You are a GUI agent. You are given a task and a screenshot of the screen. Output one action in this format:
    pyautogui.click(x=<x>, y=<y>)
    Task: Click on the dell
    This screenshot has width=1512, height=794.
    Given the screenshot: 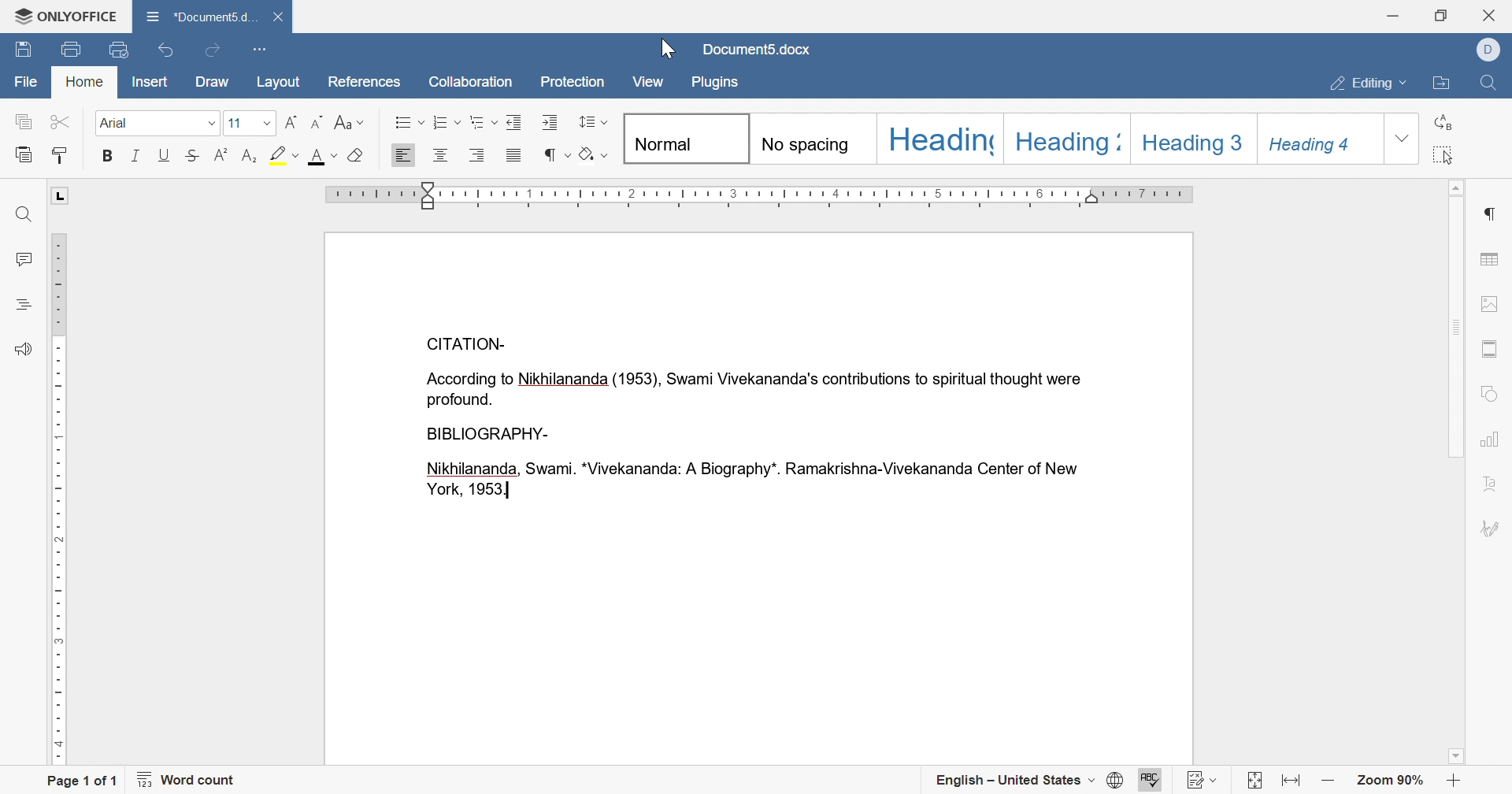 What is the action you would take?
    pyautogui.click(x=1489, y=51)
    